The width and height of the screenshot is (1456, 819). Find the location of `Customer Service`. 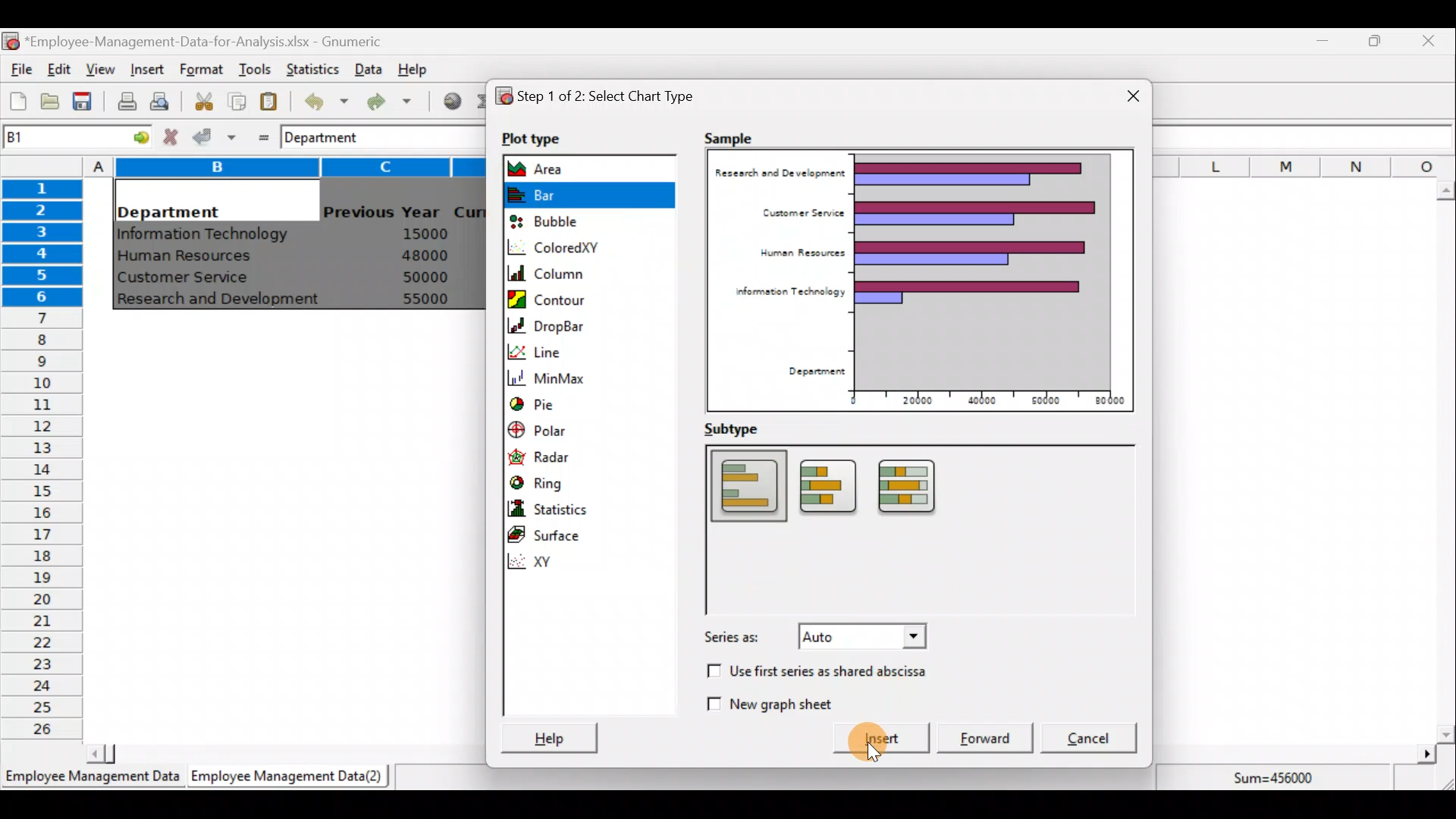

Customer Service is located at coordinates (802, 212).